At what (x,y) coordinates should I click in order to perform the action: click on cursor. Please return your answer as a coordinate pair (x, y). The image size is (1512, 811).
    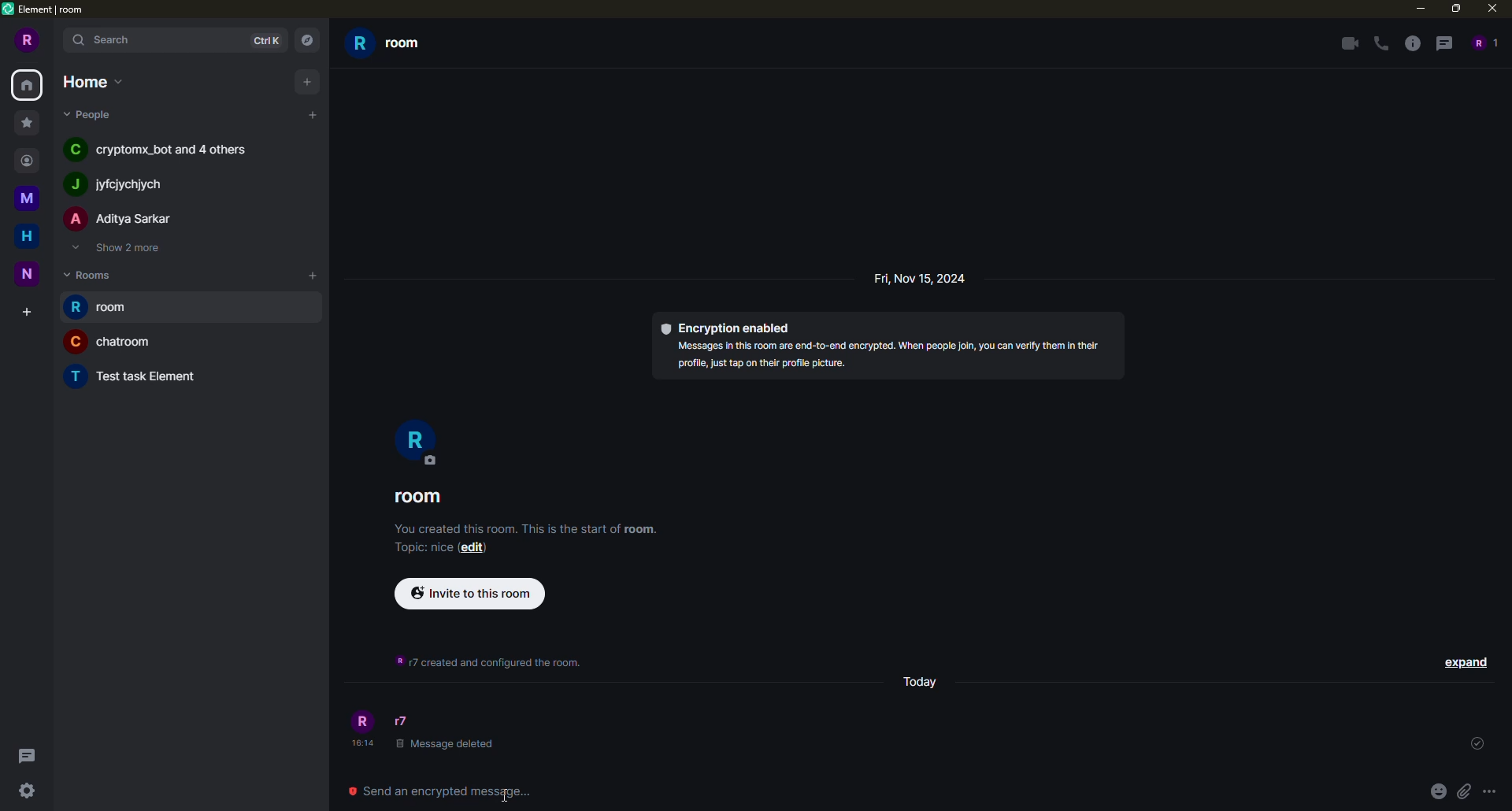
    Looking at the image, I should click on (503, 792).